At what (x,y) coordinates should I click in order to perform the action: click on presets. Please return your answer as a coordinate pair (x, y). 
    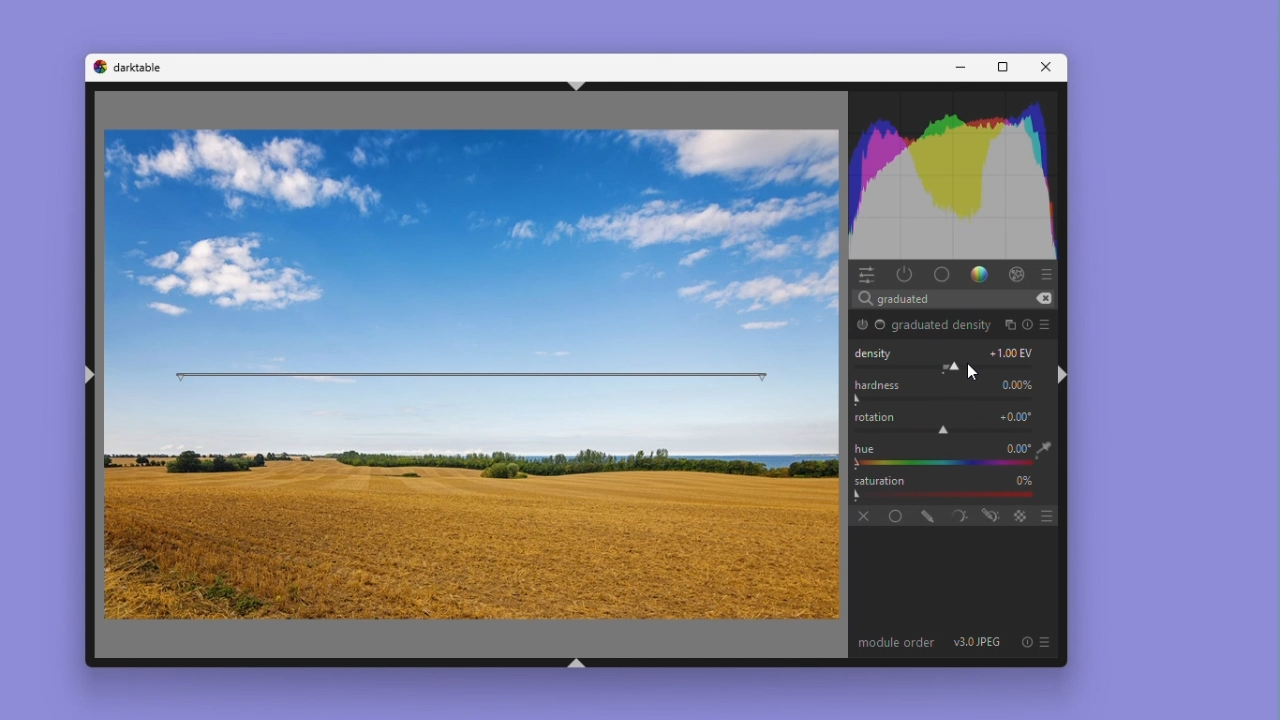
    Looking at the image, I should click on (1050, 272).